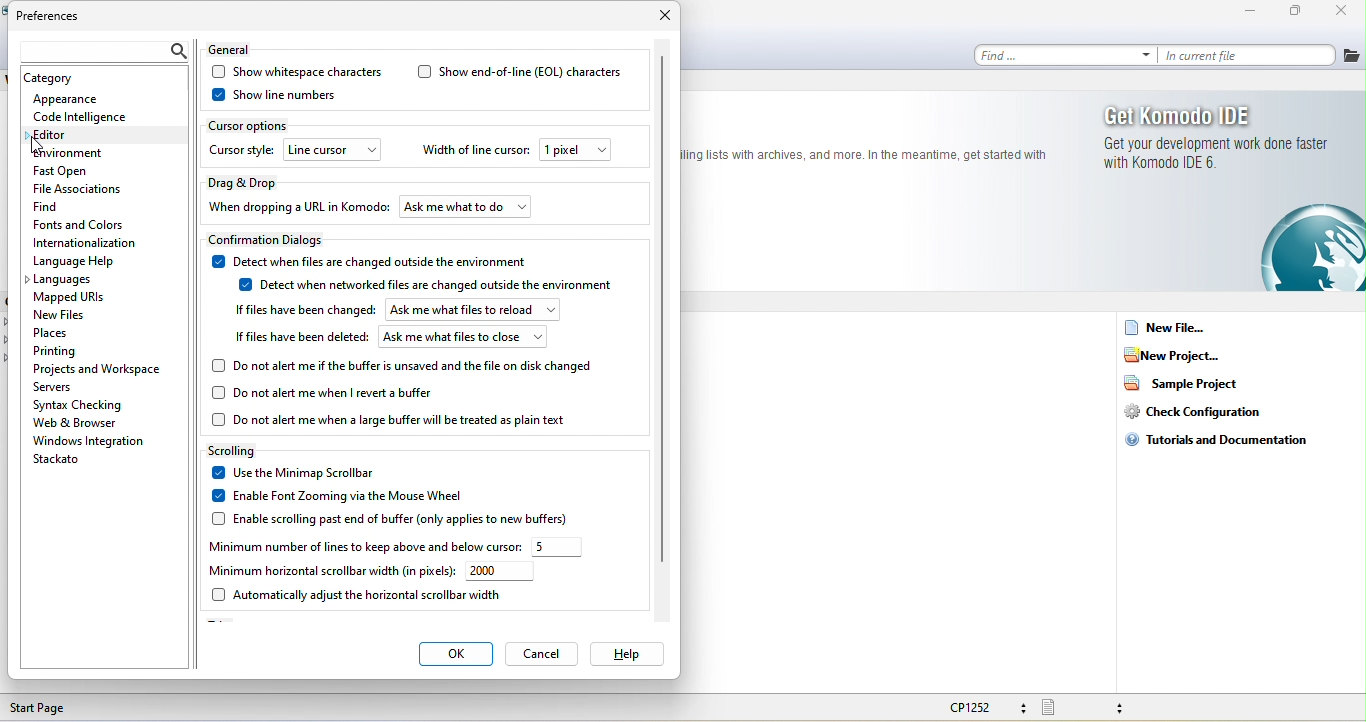  What do you see at coordinates (473, 310) in the screenshot?
I see `ask me what files to reload` at bounding box center [473, 310].